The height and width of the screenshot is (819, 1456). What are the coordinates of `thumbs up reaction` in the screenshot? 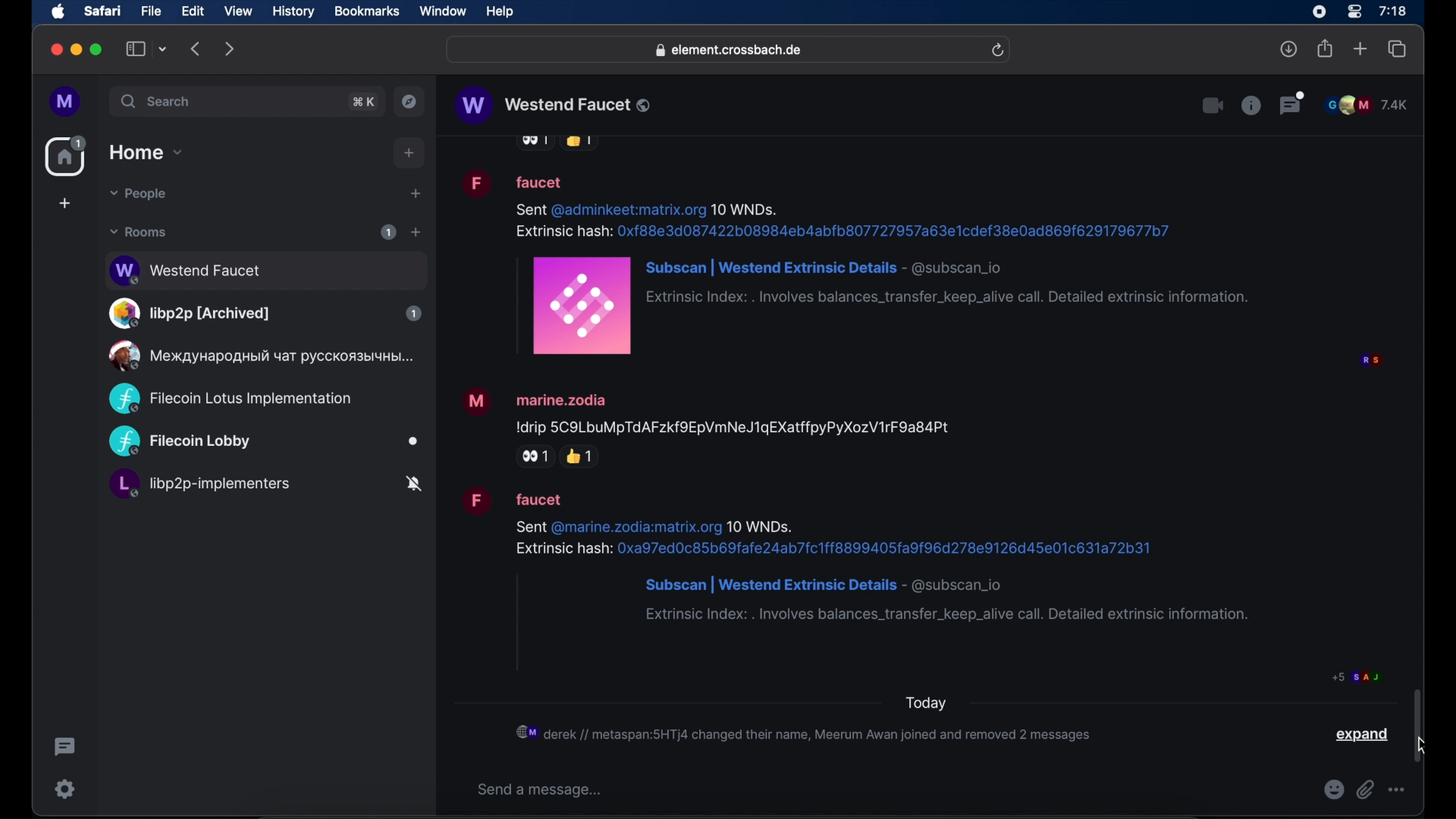 It's located at (582, 456).